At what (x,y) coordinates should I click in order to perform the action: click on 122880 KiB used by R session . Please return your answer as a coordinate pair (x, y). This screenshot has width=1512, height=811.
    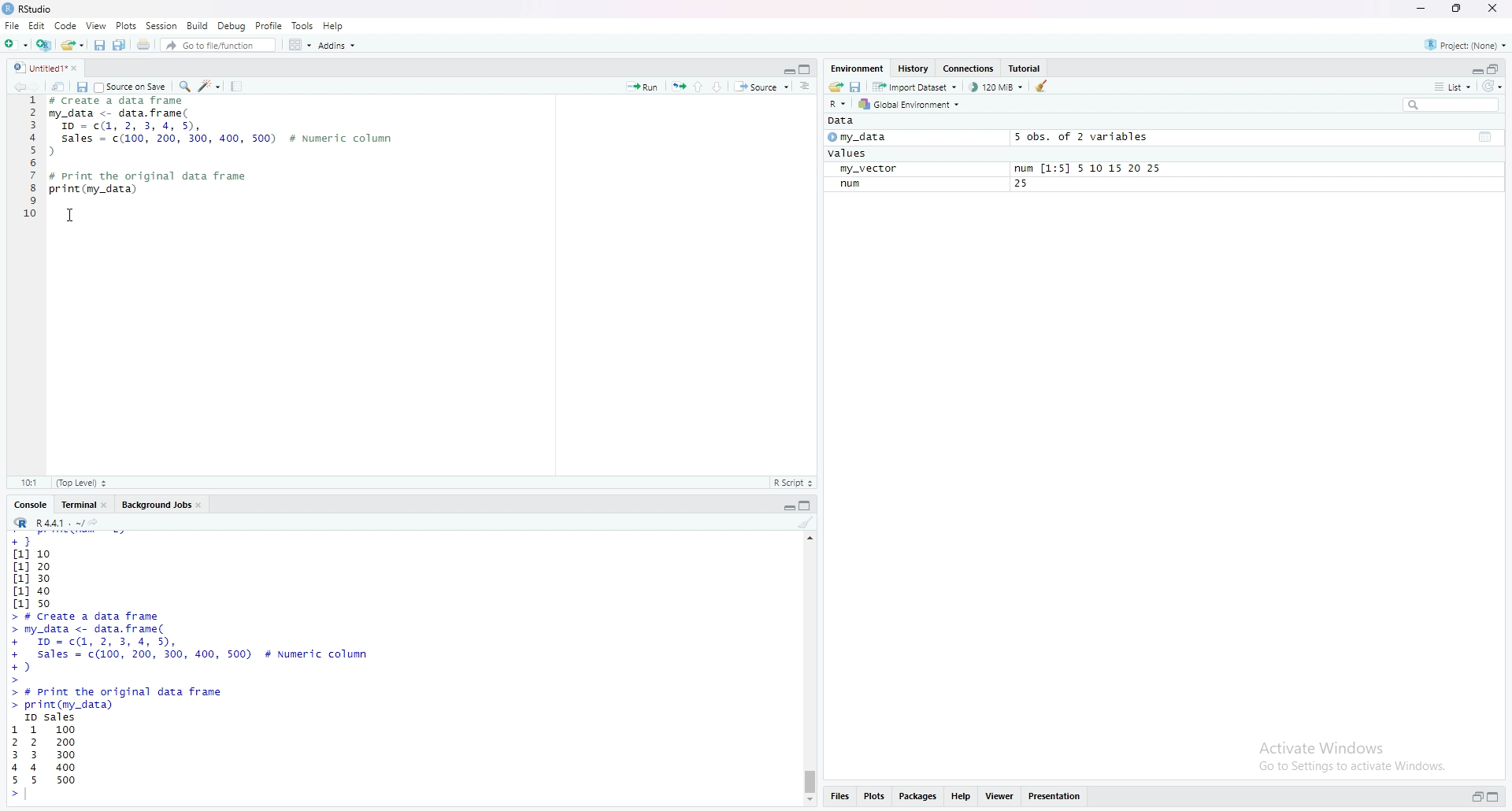
    Looking at the image, I should click on (997, 89).